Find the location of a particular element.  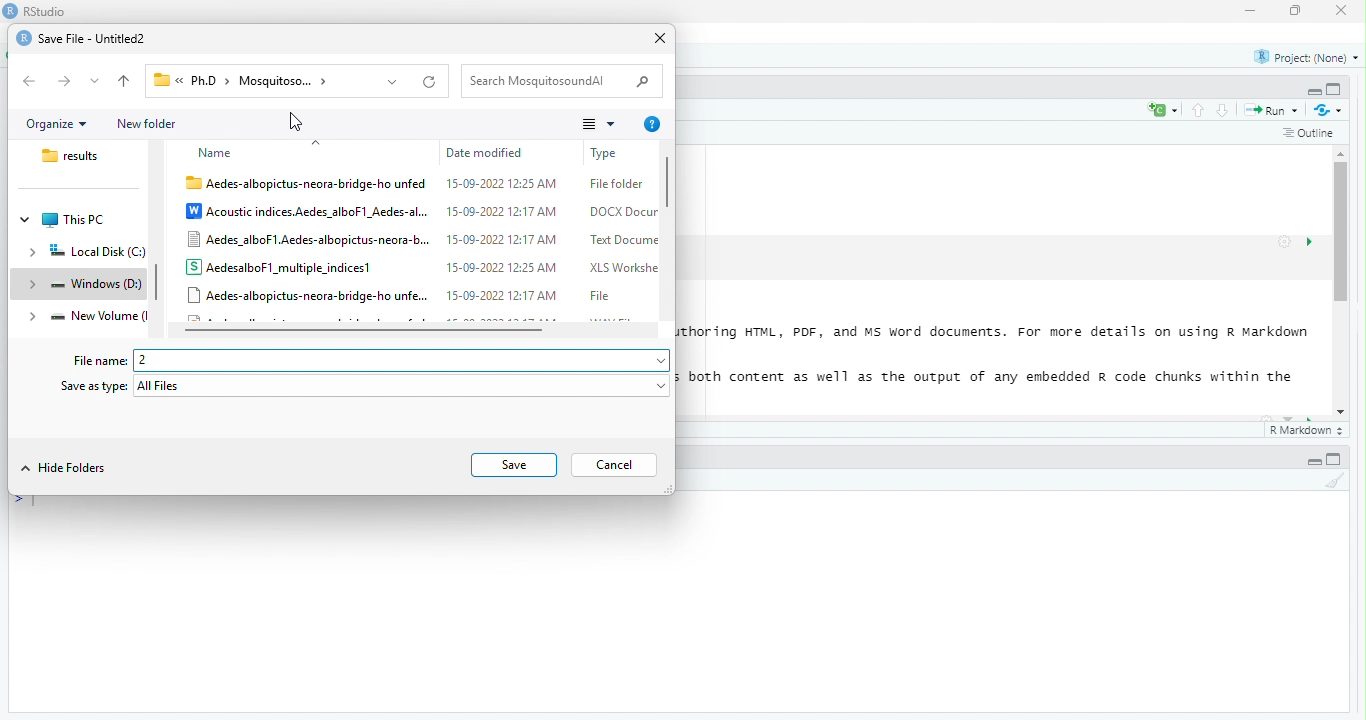

expand is located at coordinates (34, 318).